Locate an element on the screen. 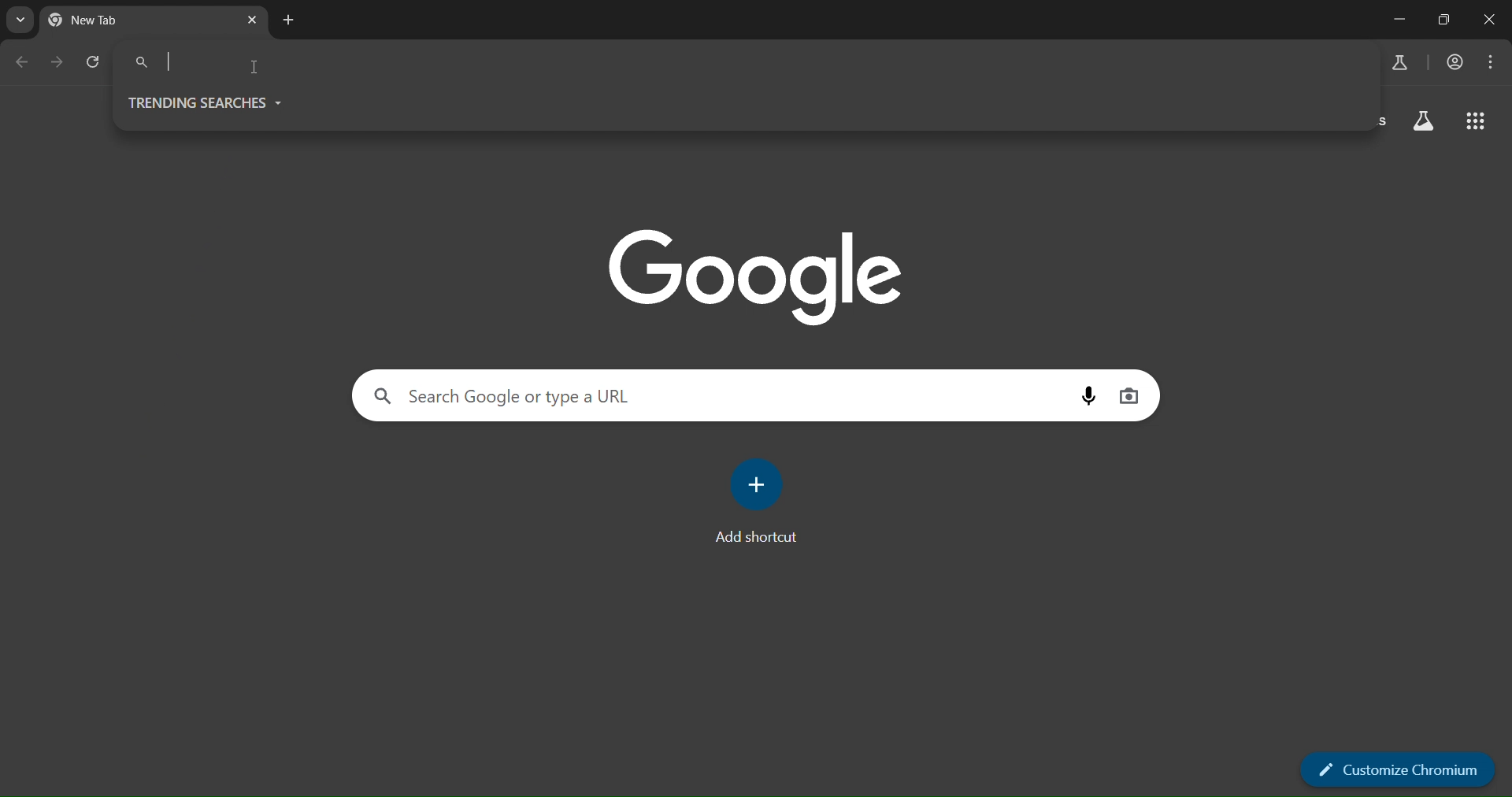 The image size is (1512, 797). search Google or type a URL is located at coordinates (247, 61).